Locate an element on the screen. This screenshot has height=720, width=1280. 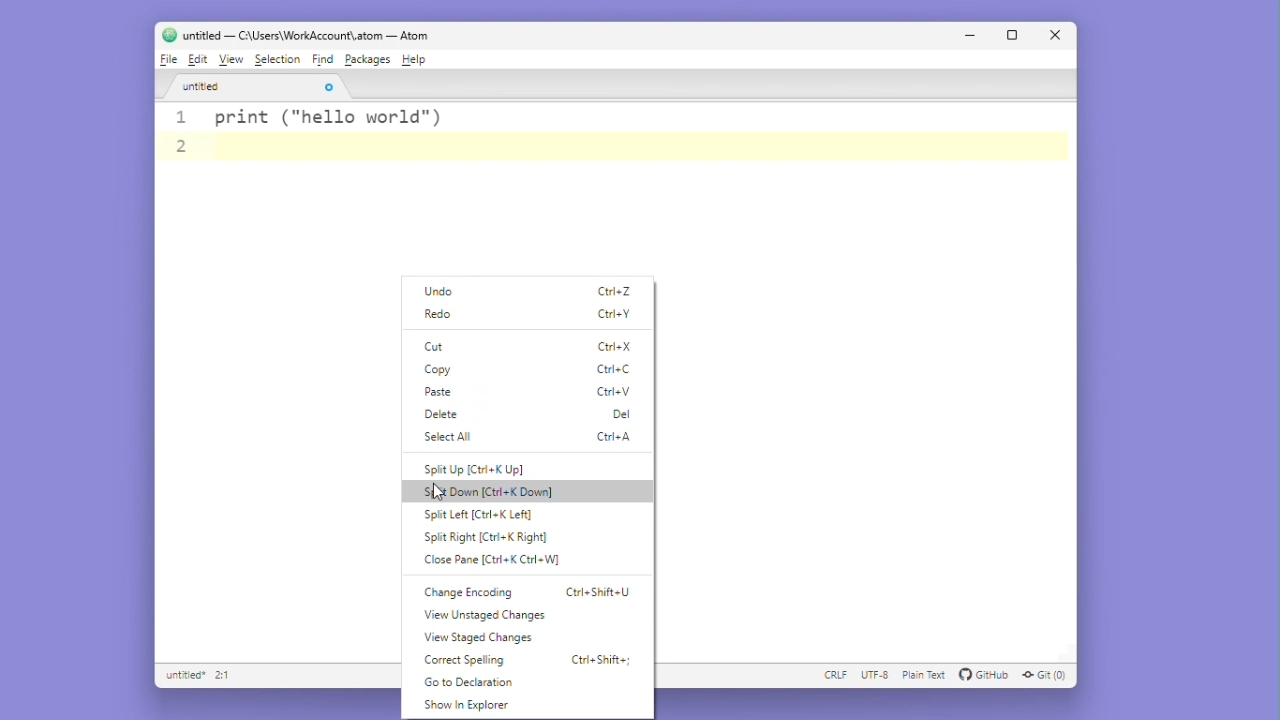
split down is located at coordinates (509, 492).